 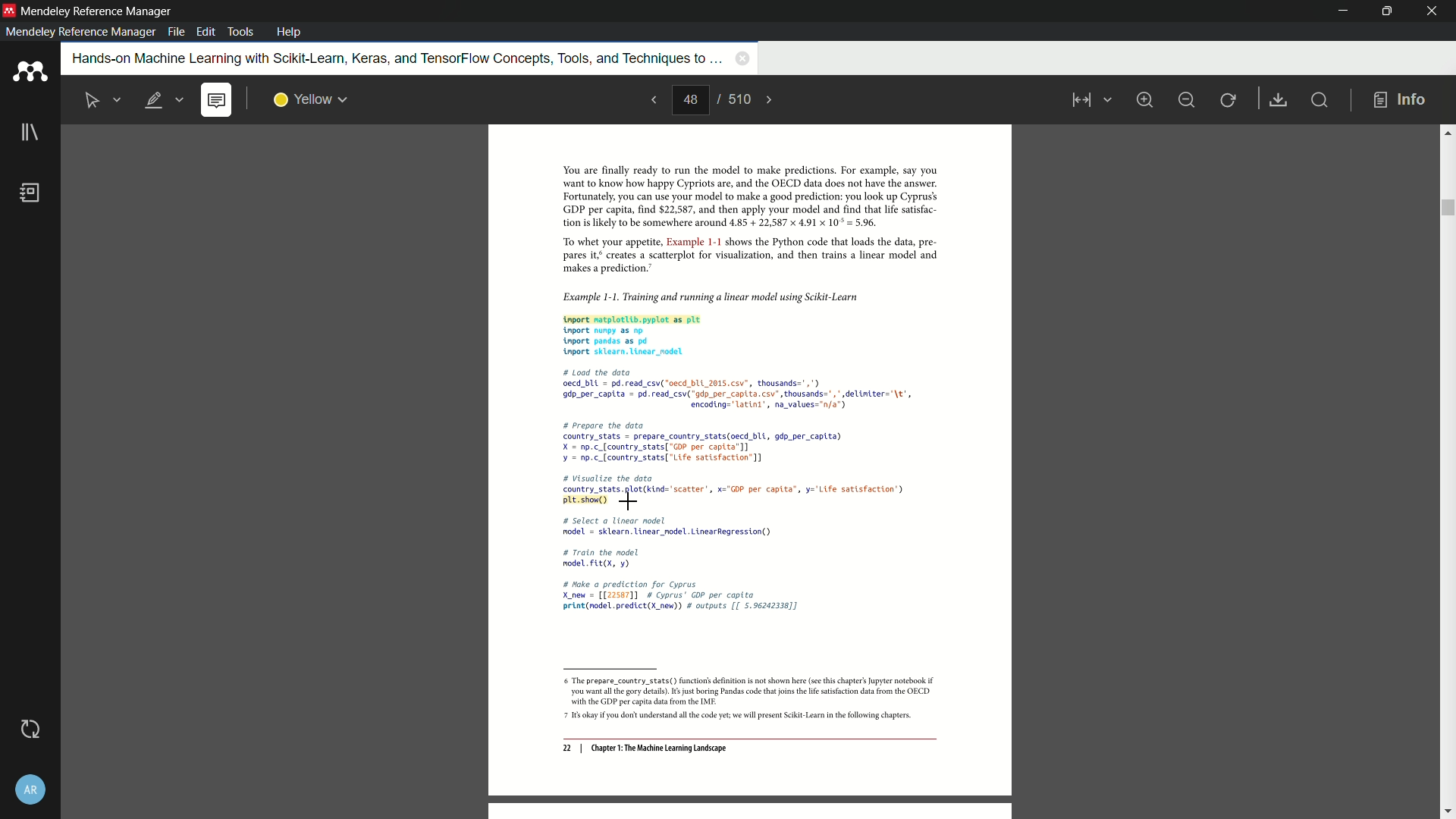 What do you see at coordinates (163, 101) in the screenshot?
I see `highlight text is selected` at bounding box center [163, 101].